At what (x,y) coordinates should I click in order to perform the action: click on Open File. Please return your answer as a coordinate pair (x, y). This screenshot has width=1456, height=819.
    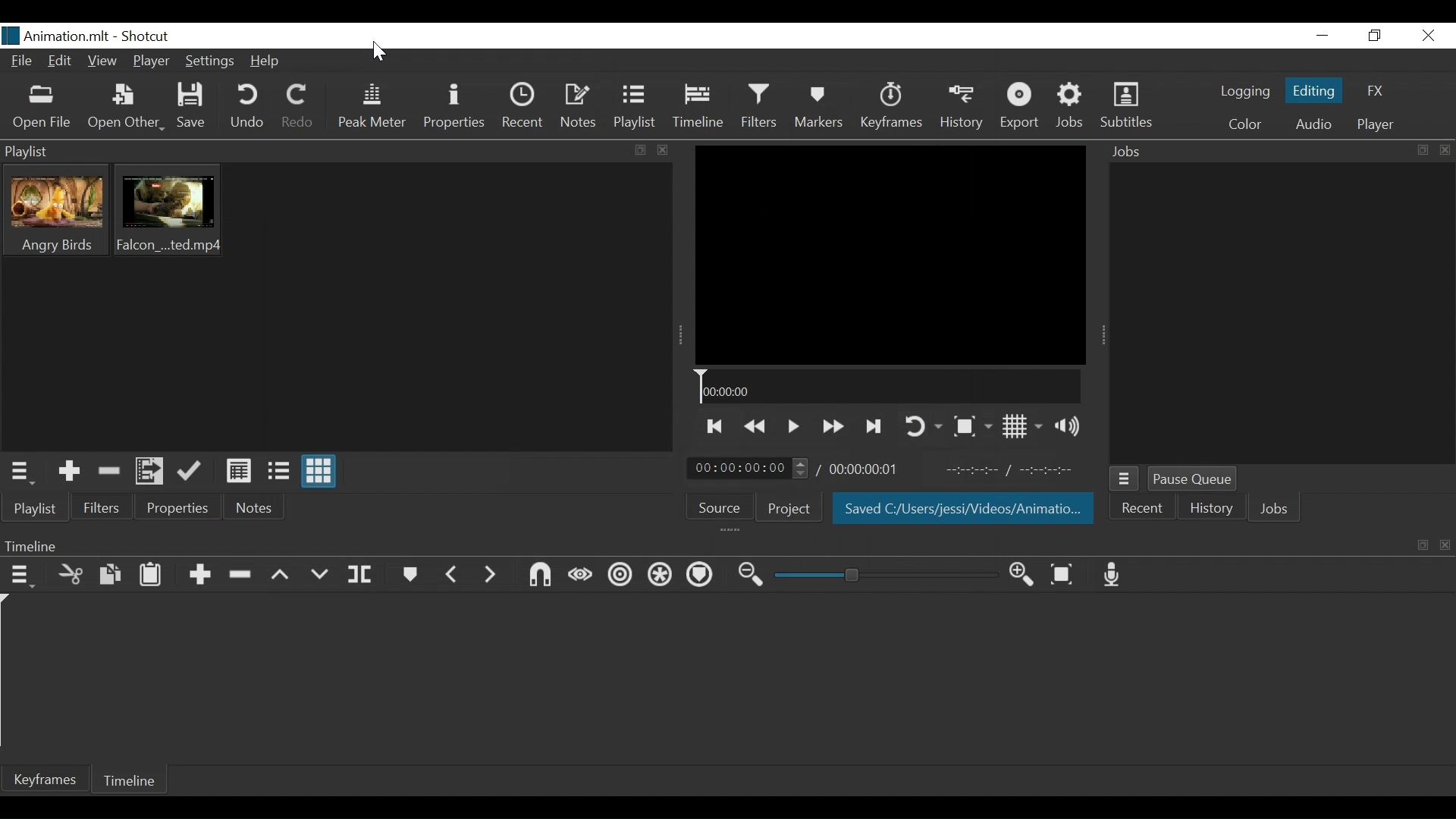
    Looking at the image, I should click on (39, 108).